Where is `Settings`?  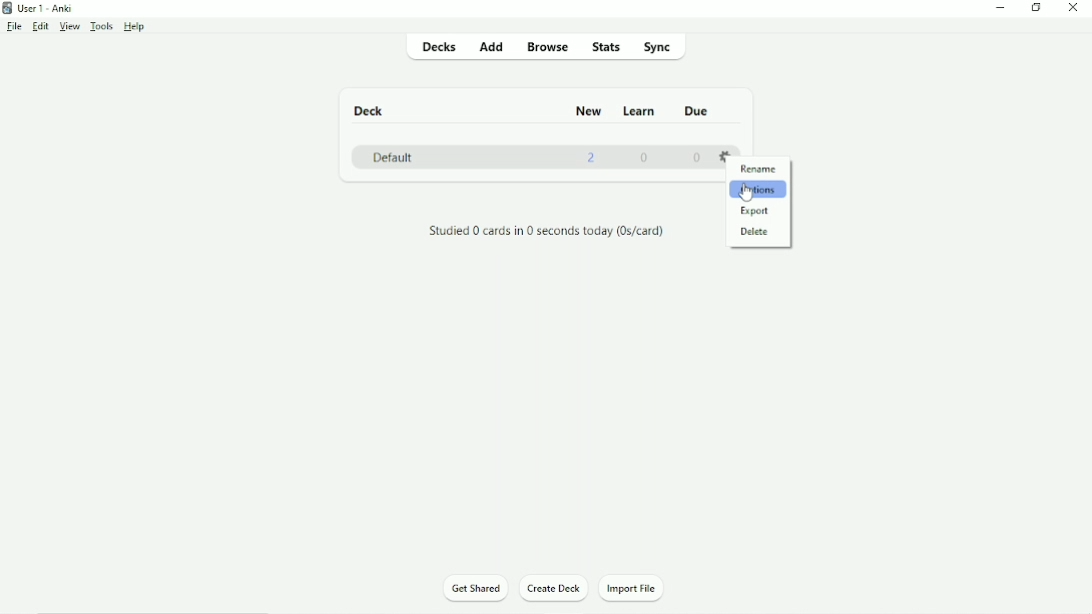
Settings is located at coordinates (724, 154).